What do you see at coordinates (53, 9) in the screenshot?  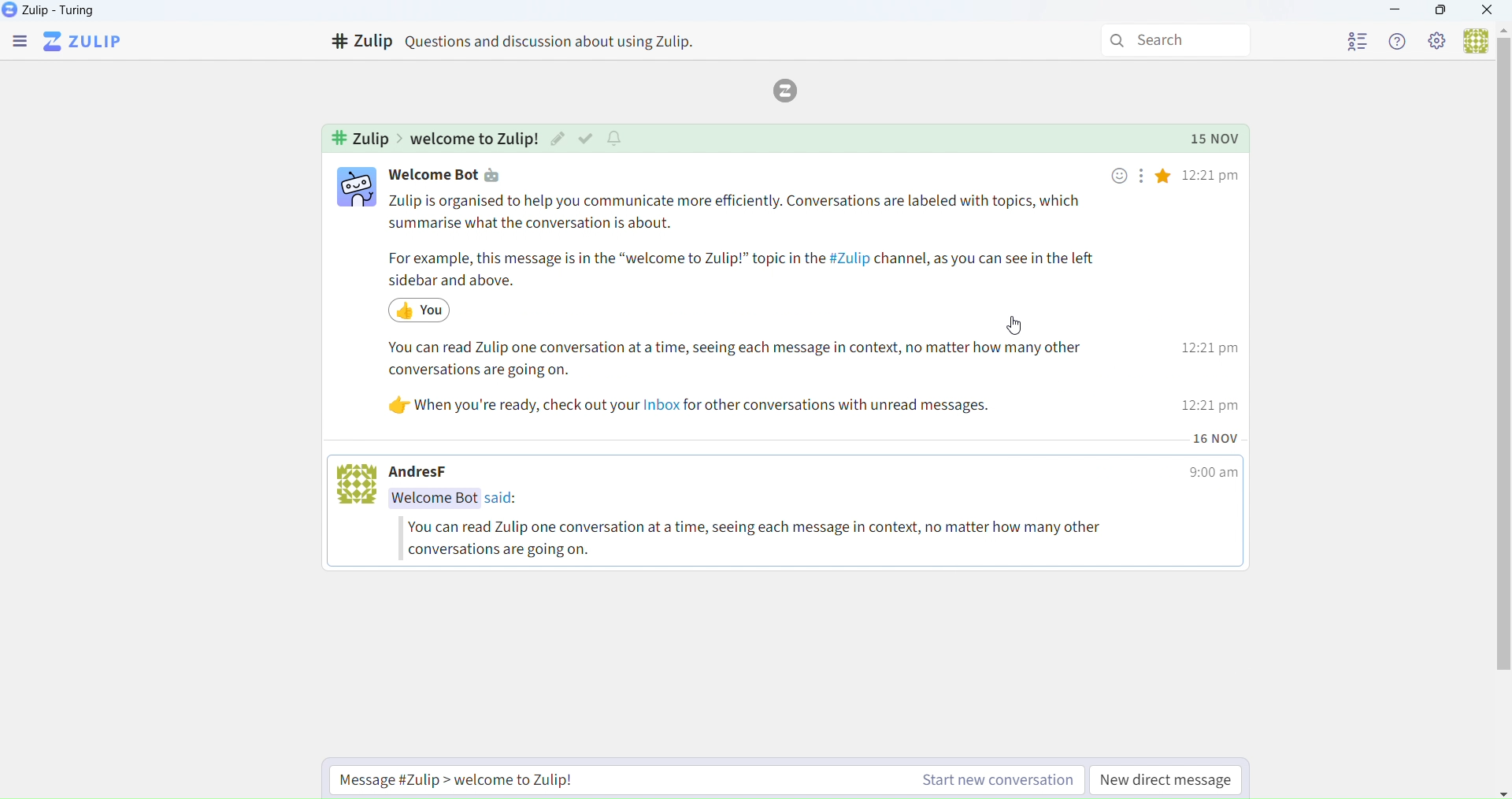 I see `Zulip` at bounding box center [53, 9].